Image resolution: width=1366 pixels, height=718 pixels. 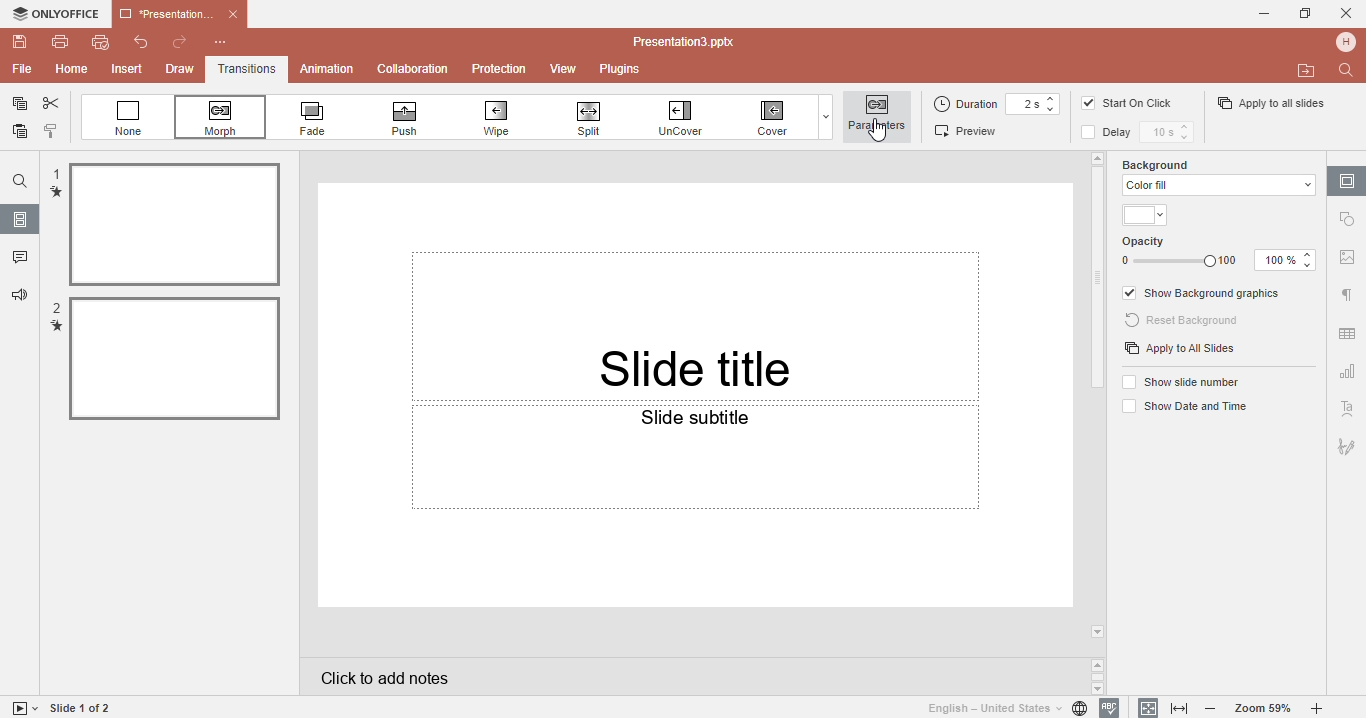 What do you see at coordinates (691, 117) in the screenshot?
I see `Uncover` at bounding box center [691, 117].